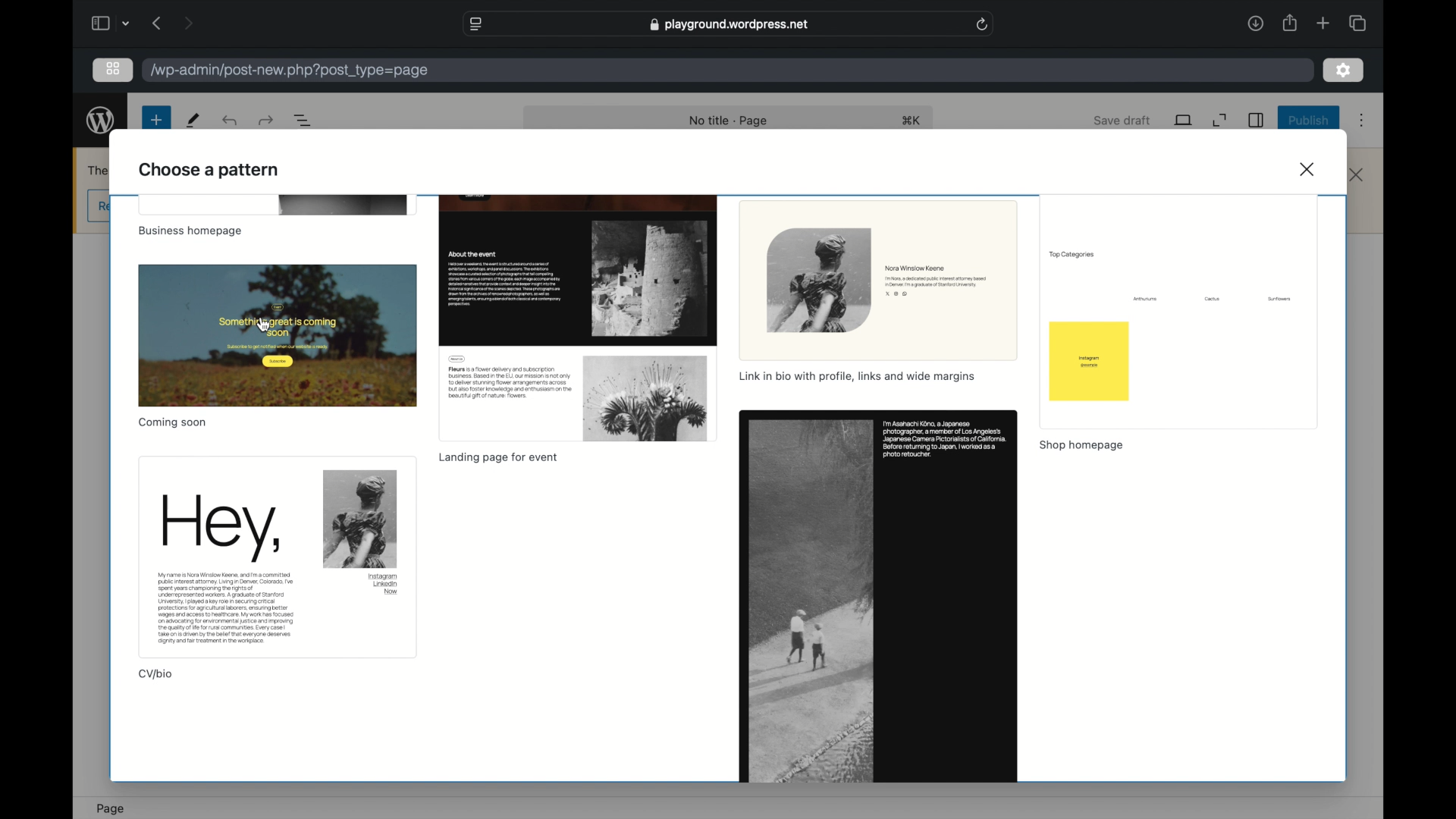 The width and height of the screenshot is (1456, 819). Describe the element at coordinates (264, 325) in the screenshot. I see `cursor` at that location.